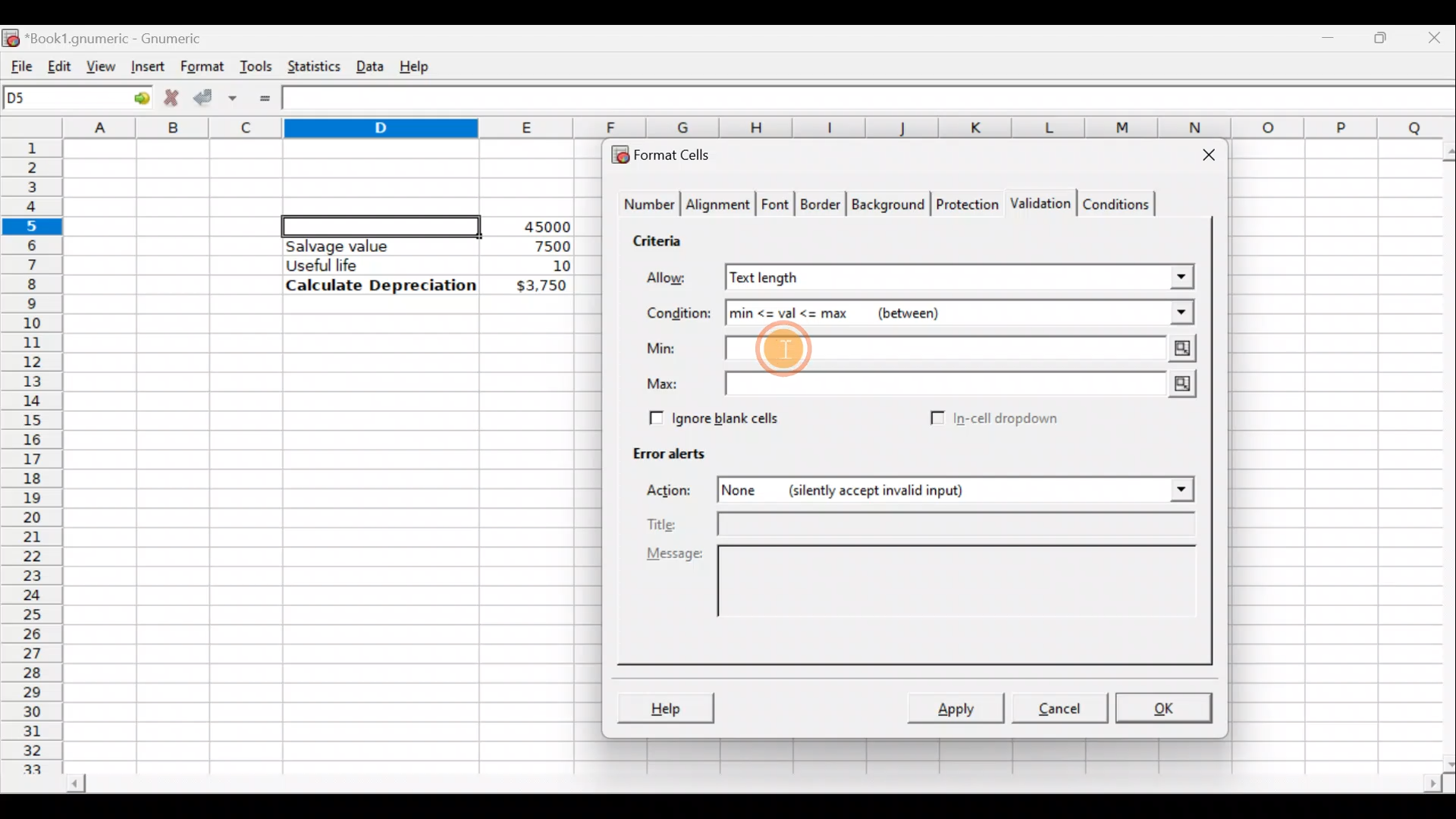  I want to click on Min value, so click(963, 352).